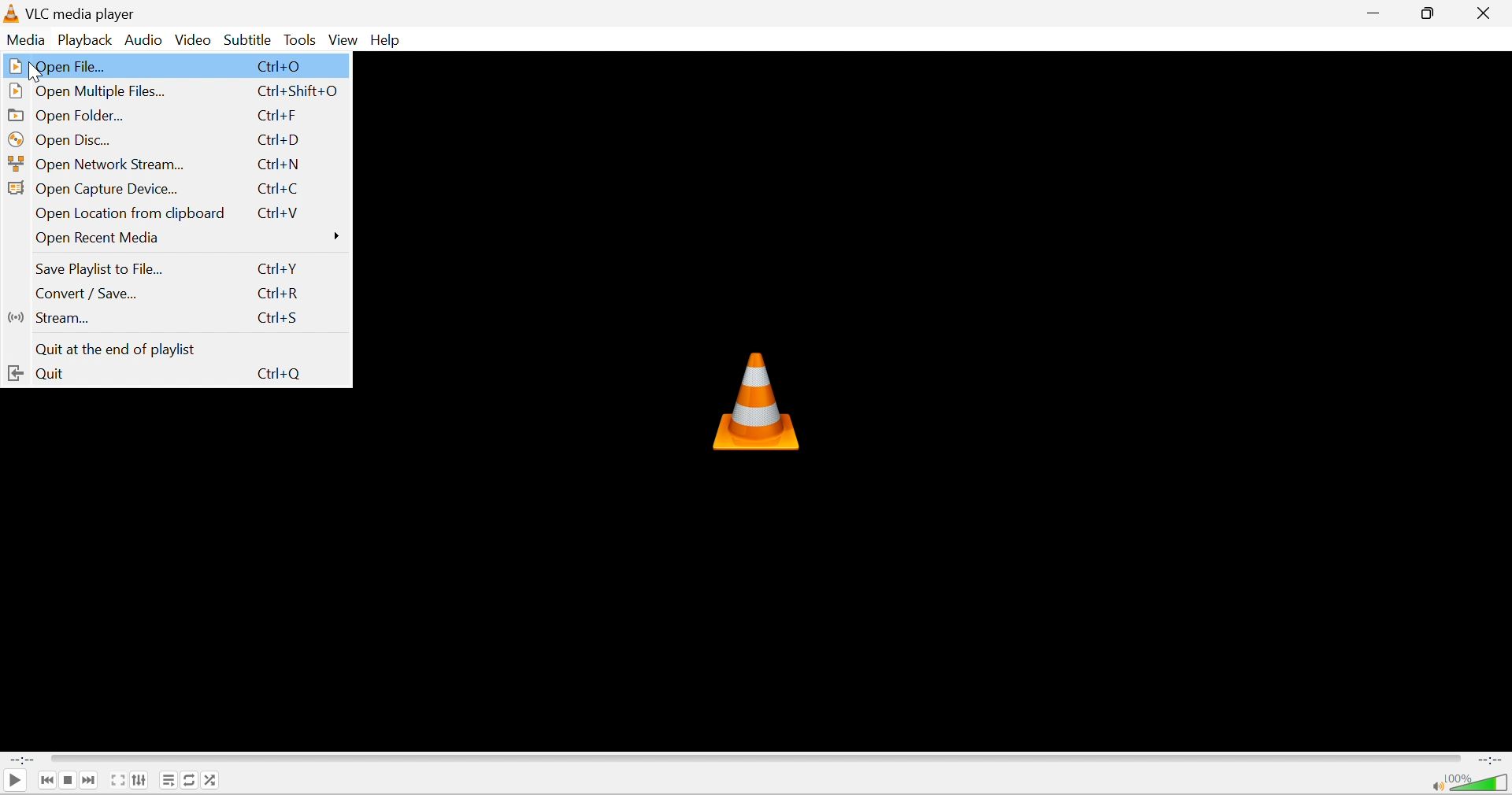 This screenshot has height=795, width=1512. What do you see at coordinates (49, 319) in the screenshot?
I see `Stream` at bounding box center [49, 319].